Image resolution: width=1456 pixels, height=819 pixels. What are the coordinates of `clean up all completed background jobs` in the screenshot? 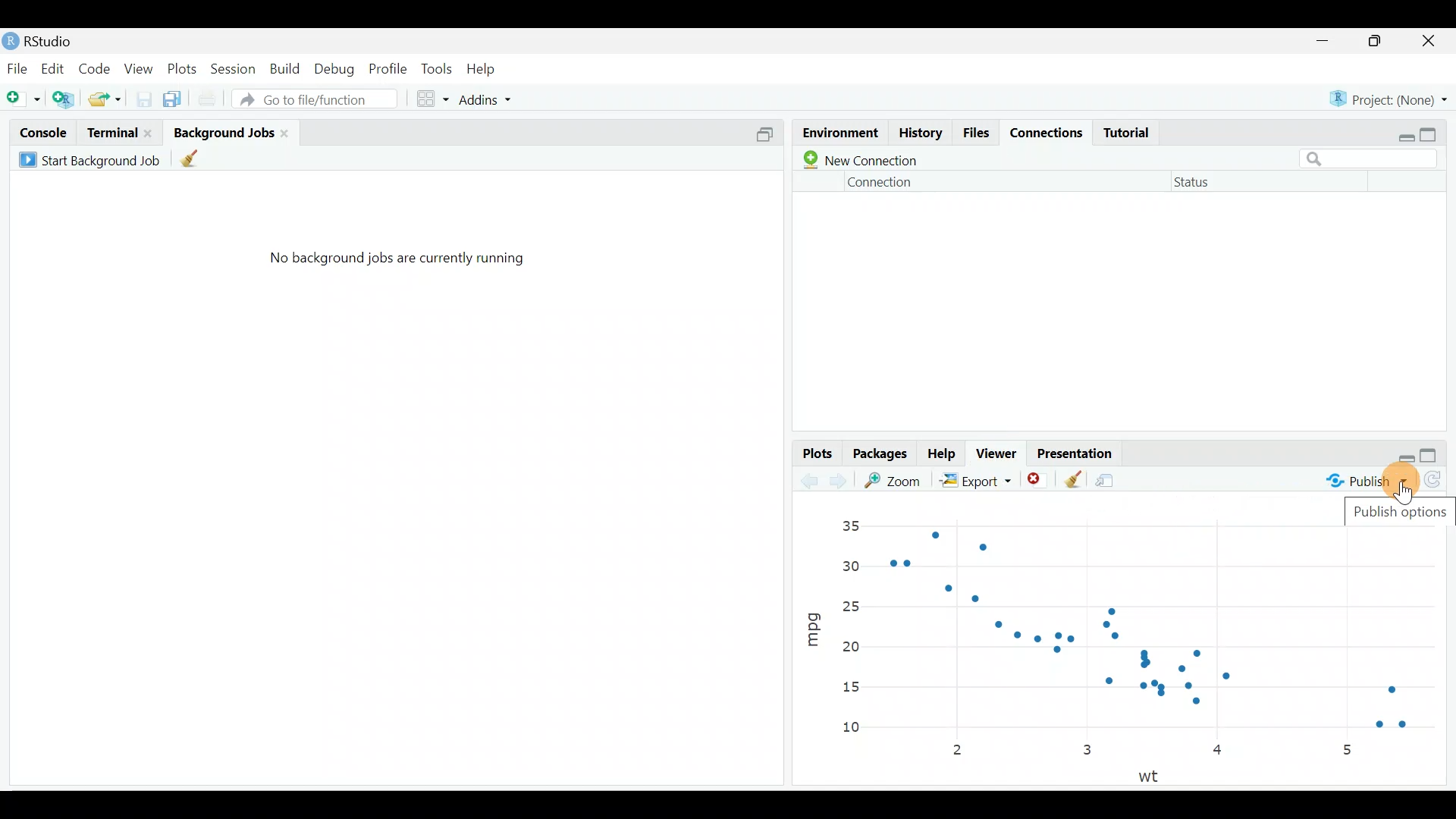 It's located at (201, 161).